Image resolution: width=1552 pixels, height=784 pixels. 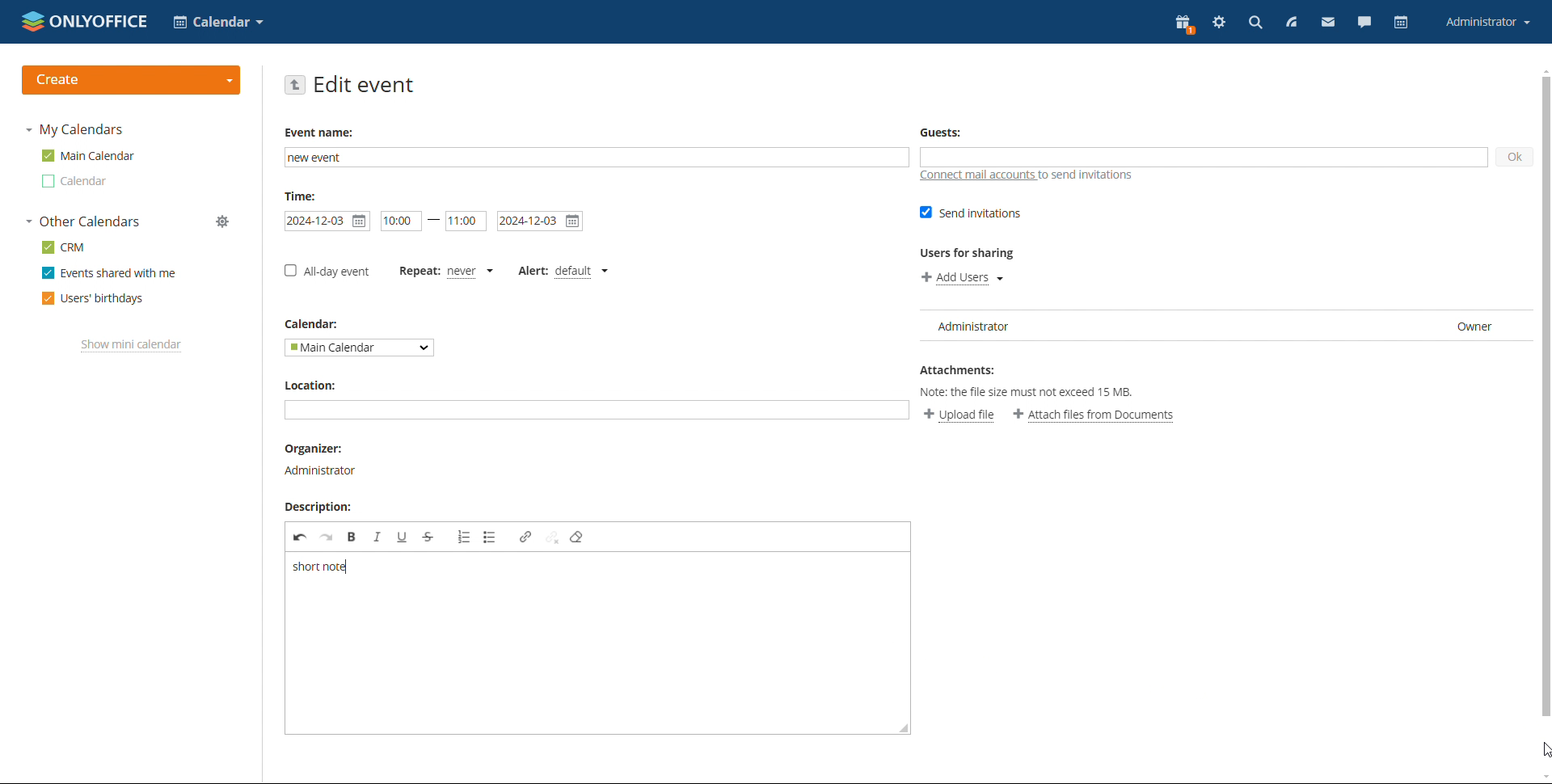 I want to click on other calendar, so click(x=76, y=181).